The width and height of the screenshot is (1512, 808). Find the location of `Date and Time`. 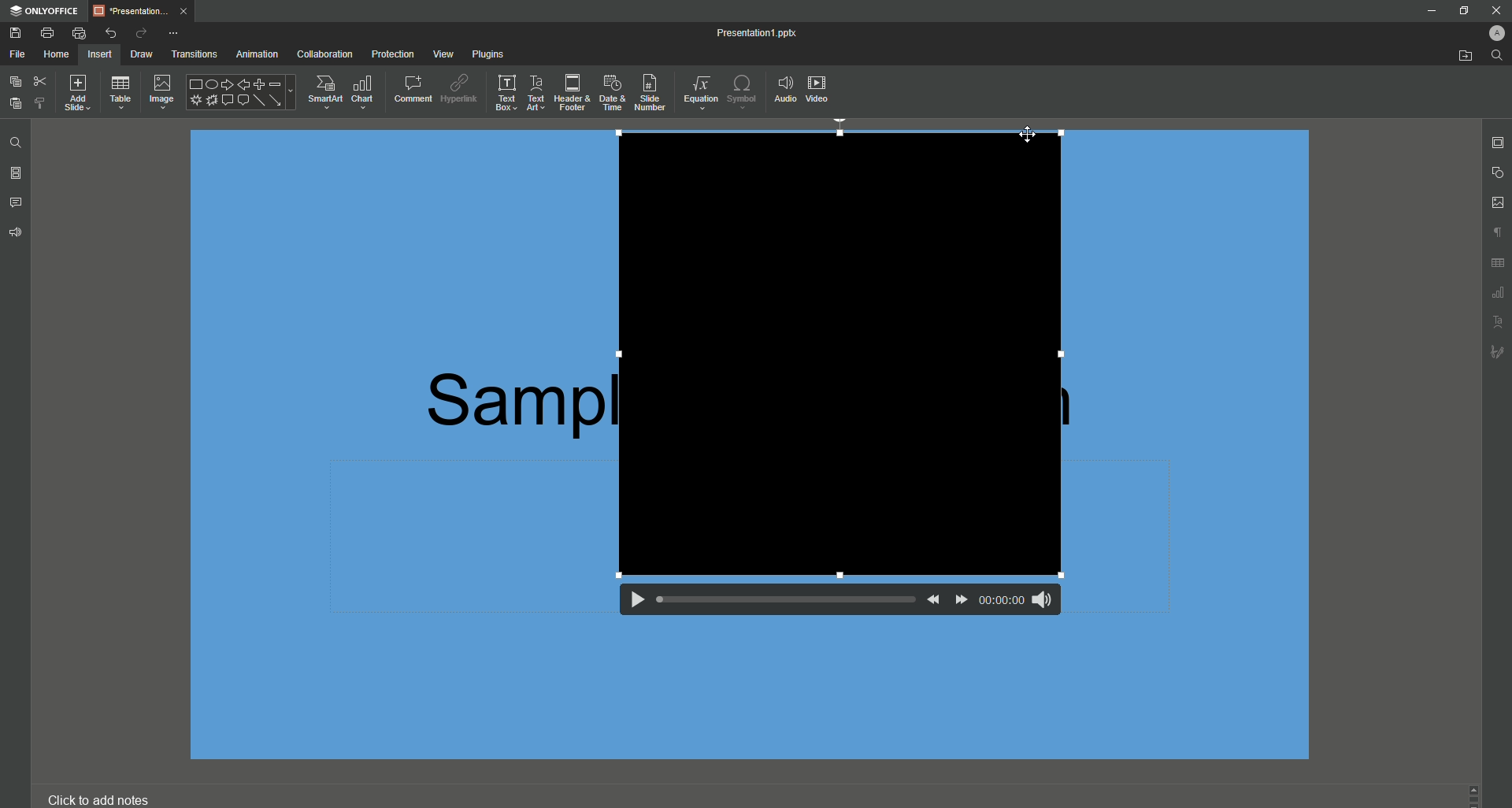

Date and Time is located at coordinates (614, 94).